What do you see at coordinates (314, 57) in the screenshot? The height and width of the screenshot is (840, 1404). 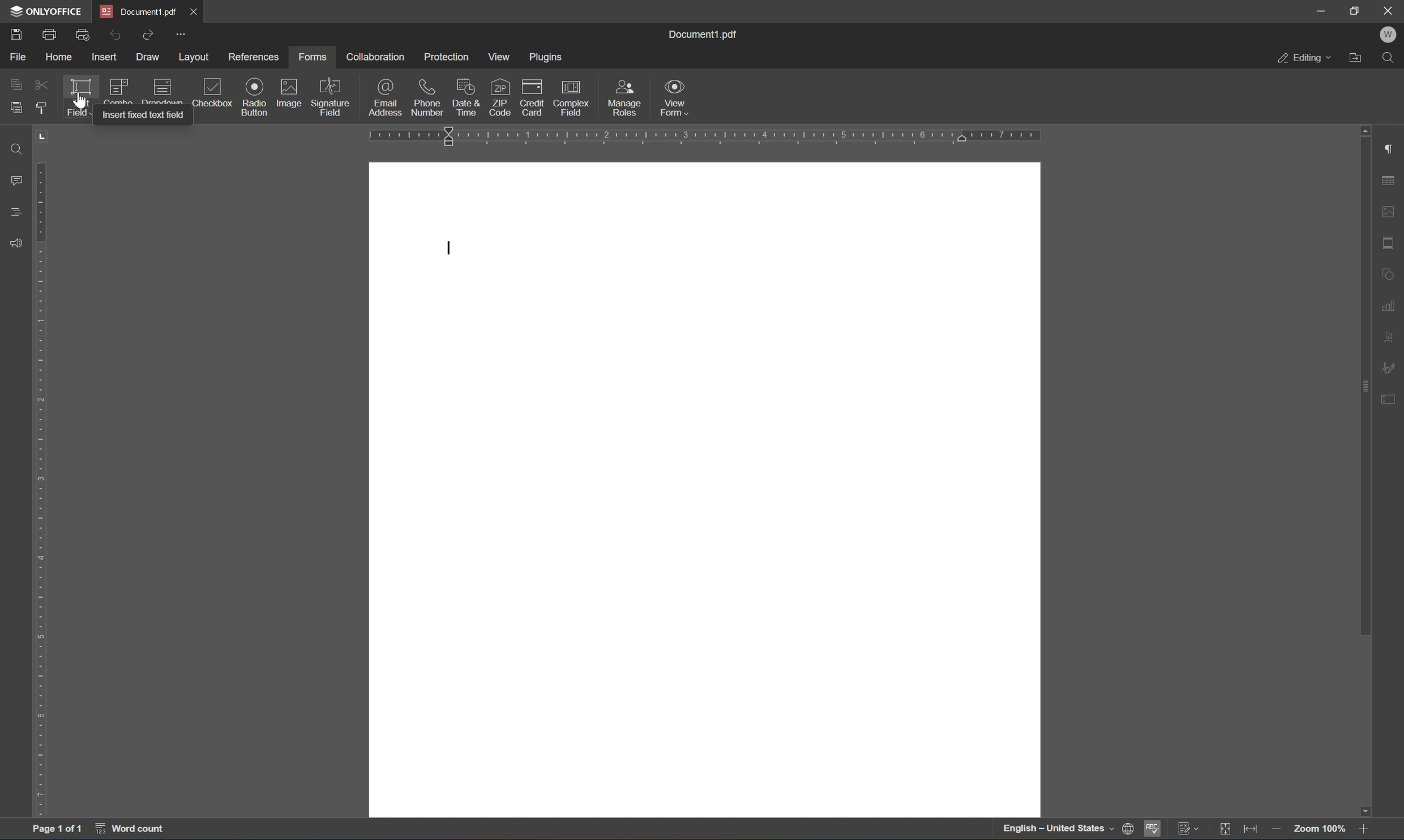 I see `forms` at bounding box center [314, 57].